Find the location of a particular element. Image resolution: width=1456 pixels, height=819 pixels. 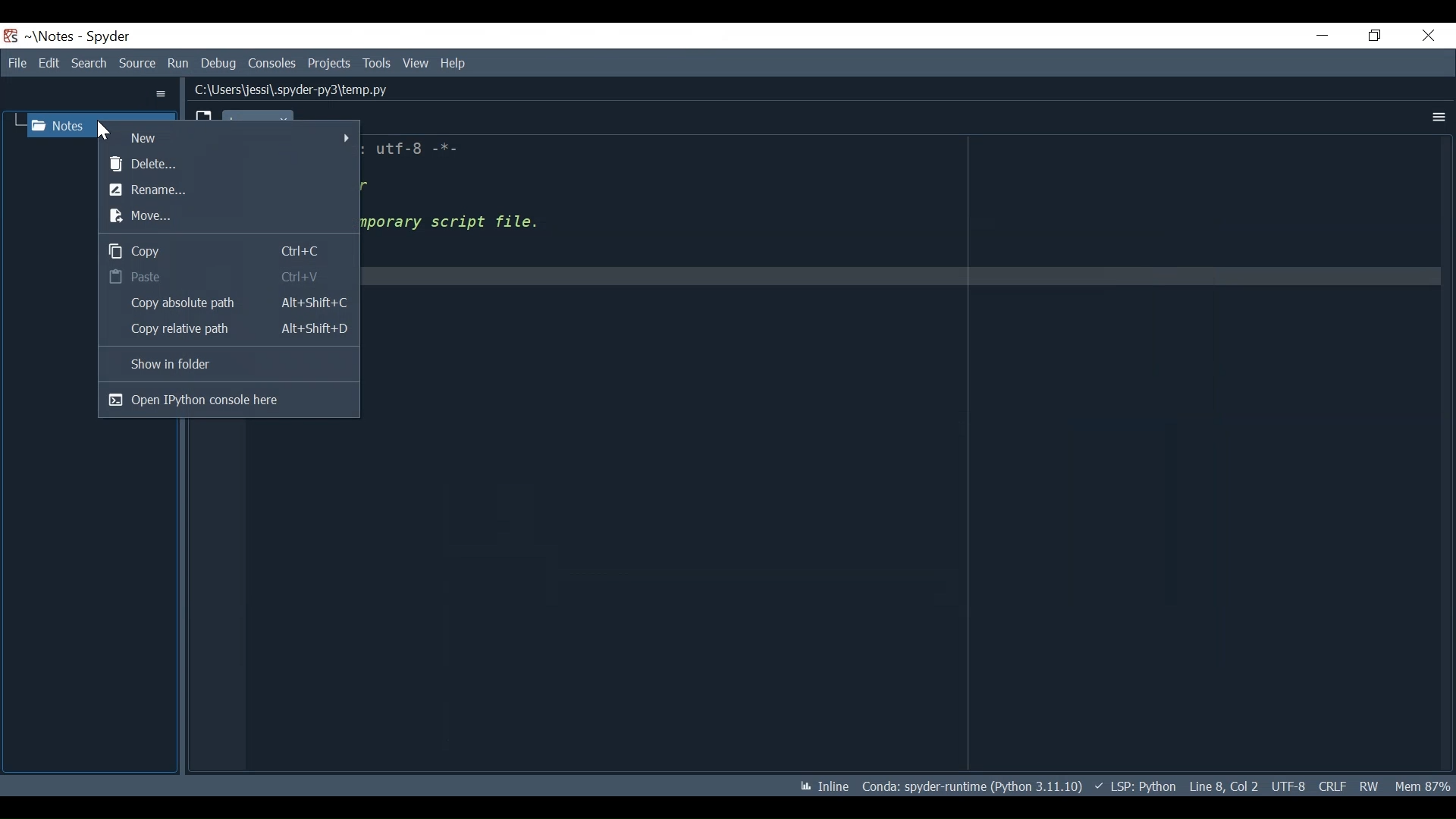

Cursor Position is located at coordinates (1223, 786).